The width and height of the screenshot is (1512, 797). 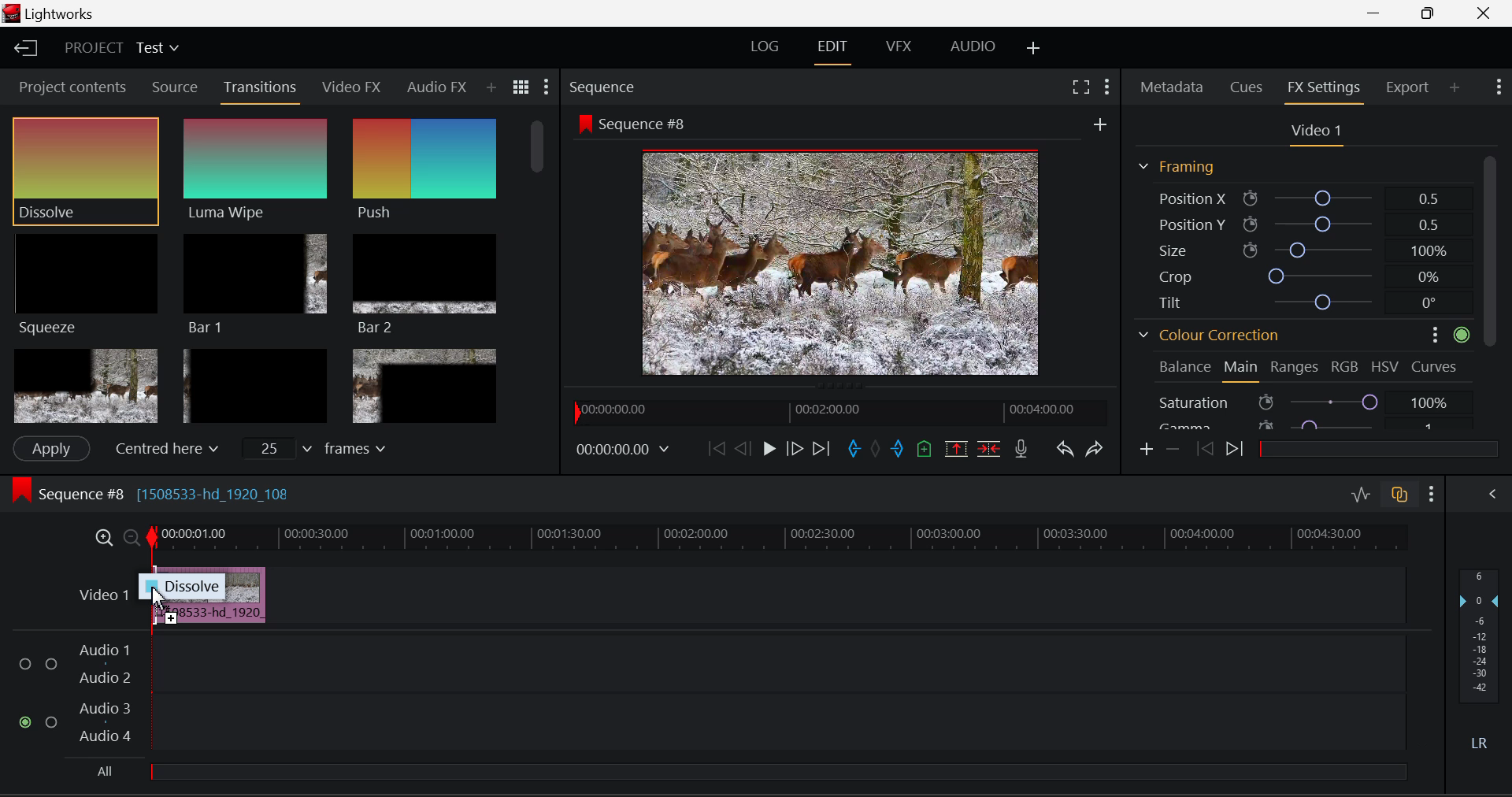 I want to click on Play, so click(x=767, y=450).